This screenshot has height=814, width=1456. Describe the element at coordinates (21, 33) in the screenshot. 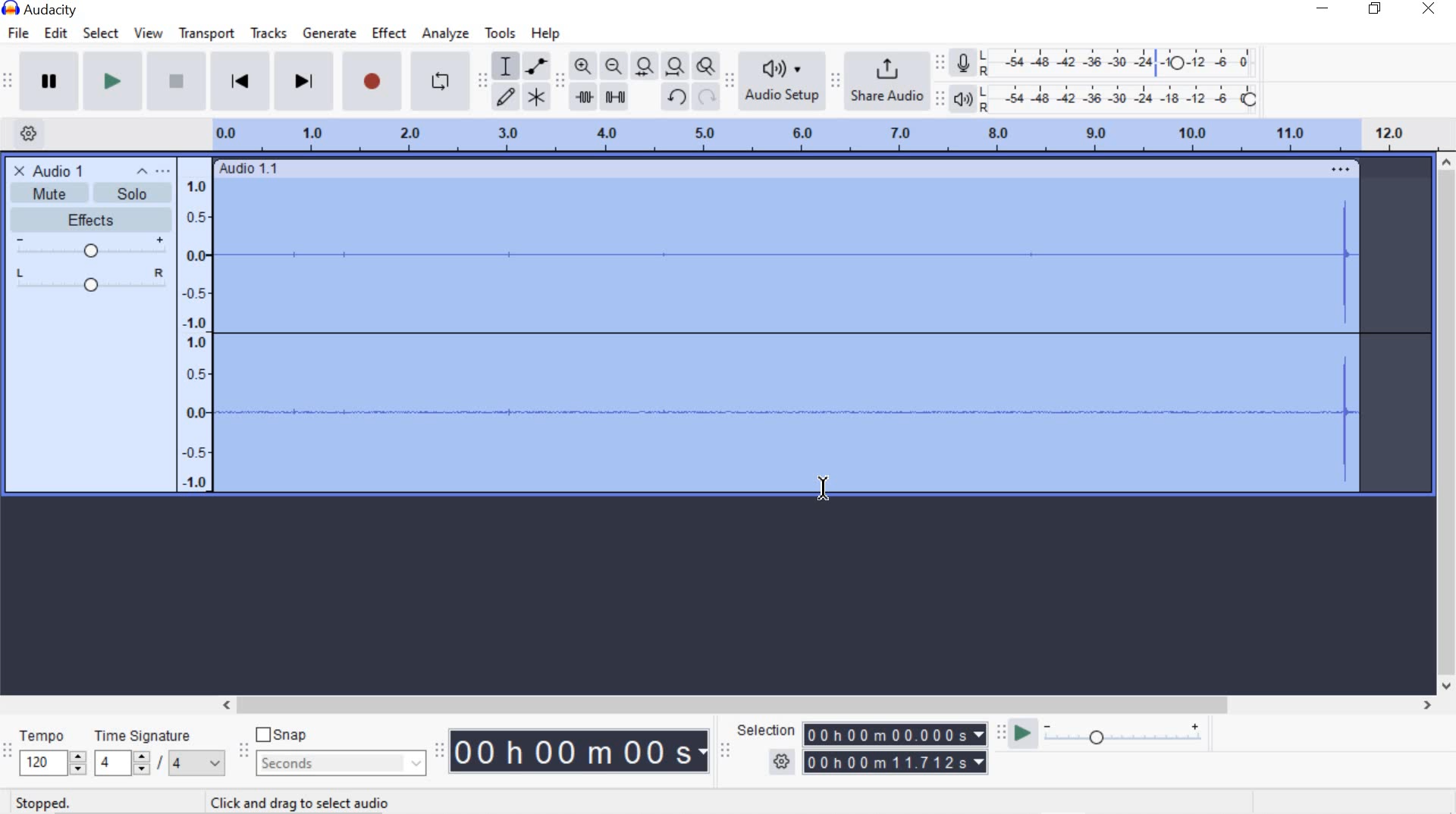

I see `file` at that location.